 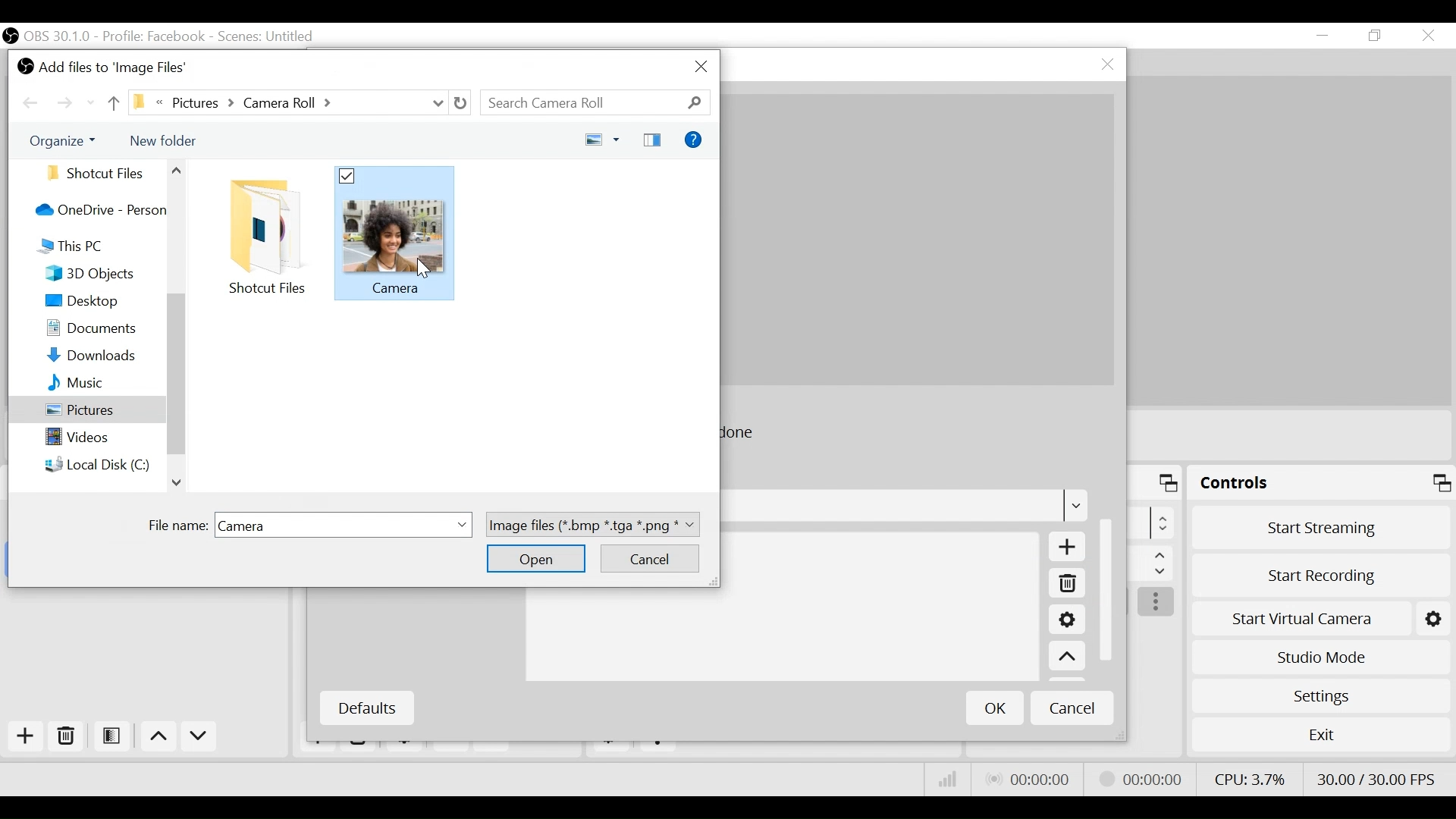 I want to click on OBS Desktop Icon, so click(x=11, y=36).